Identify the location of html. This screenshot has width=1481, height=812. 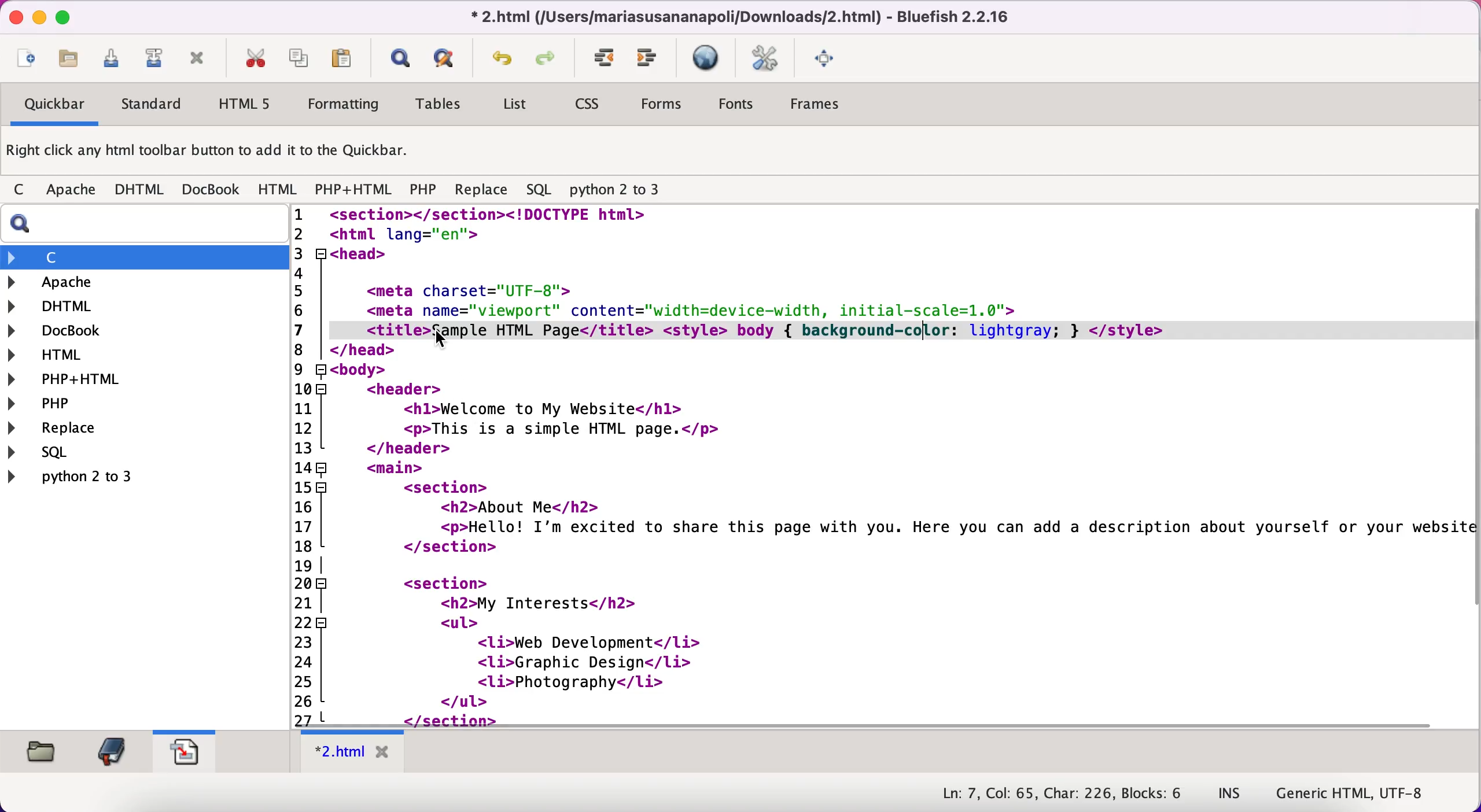
(279, 190).